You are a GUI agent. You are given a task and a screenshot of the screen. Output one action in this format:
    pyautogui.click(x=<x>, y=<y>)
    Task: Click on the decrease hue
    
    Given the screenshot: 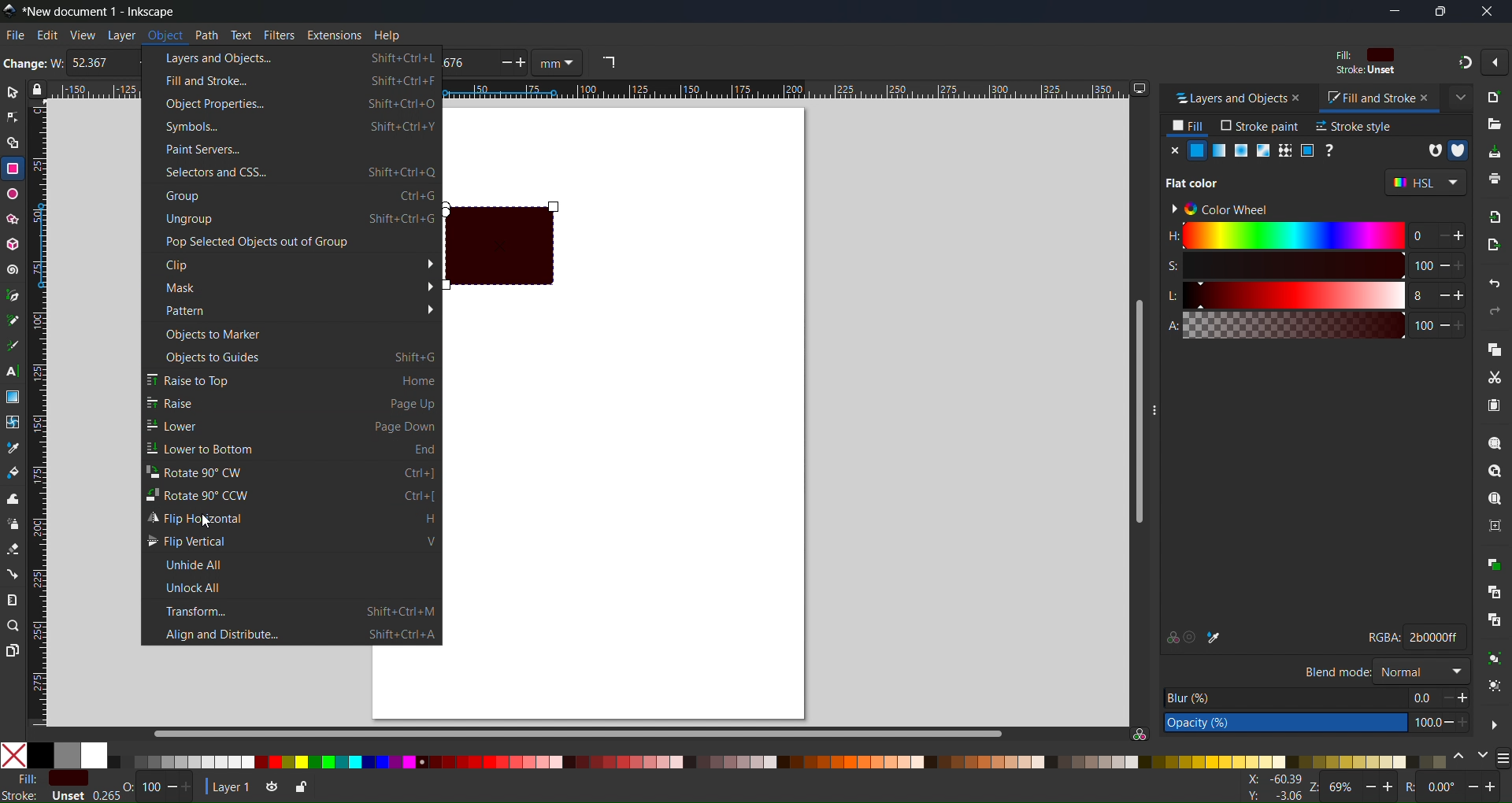 What is the action you would take?
    pyautogui.click(x=1461, y=237)
    